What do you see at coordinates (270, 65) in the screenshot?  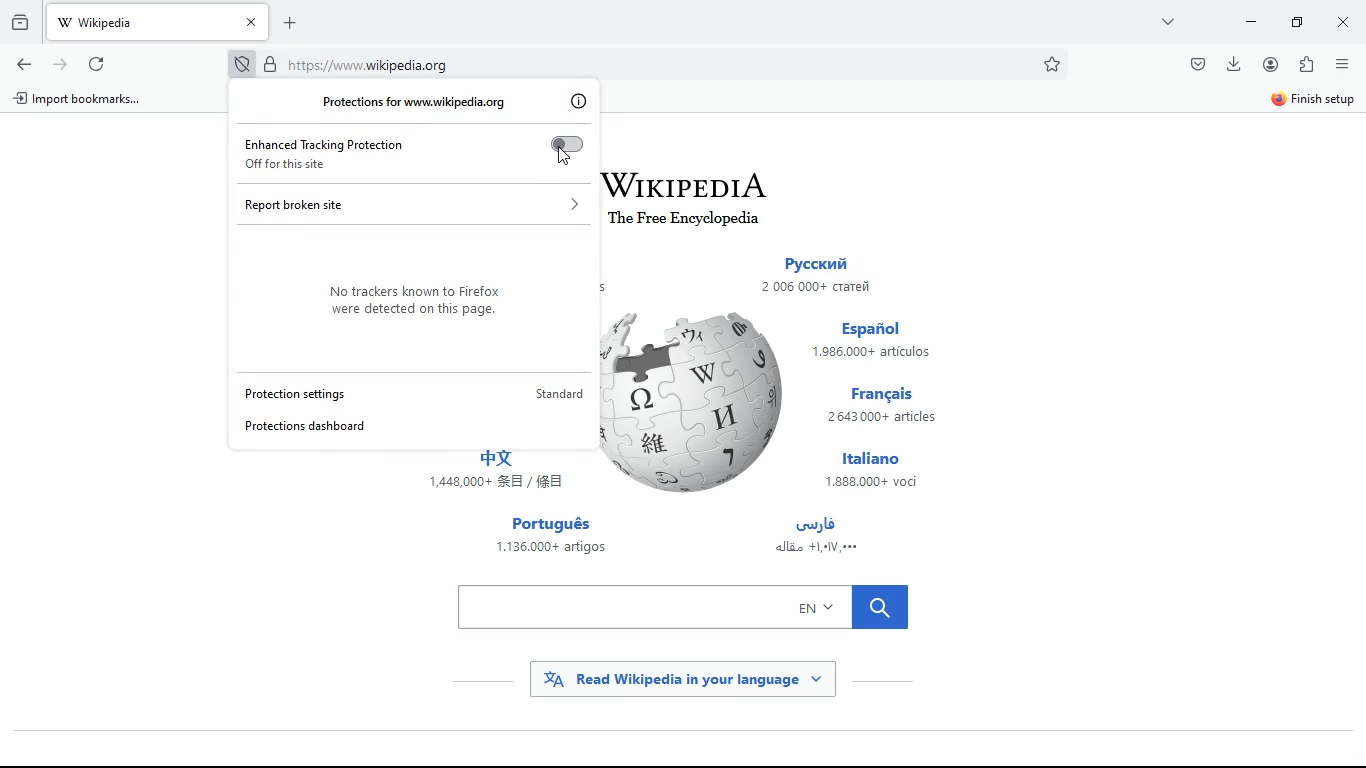 I see `locked` at bounding box center [270, 65].